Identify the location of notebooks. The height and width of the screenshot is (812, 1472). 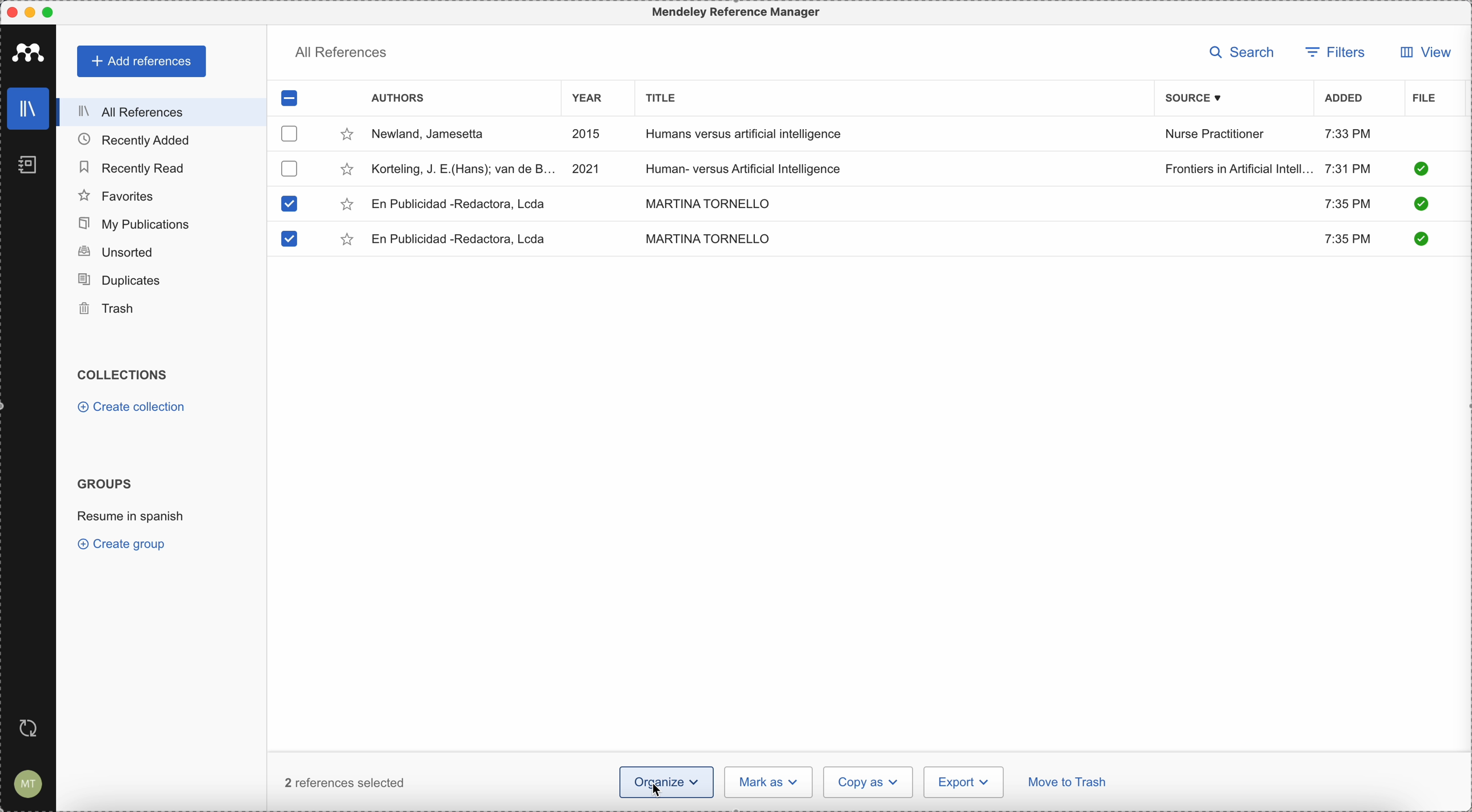
(30, 168).